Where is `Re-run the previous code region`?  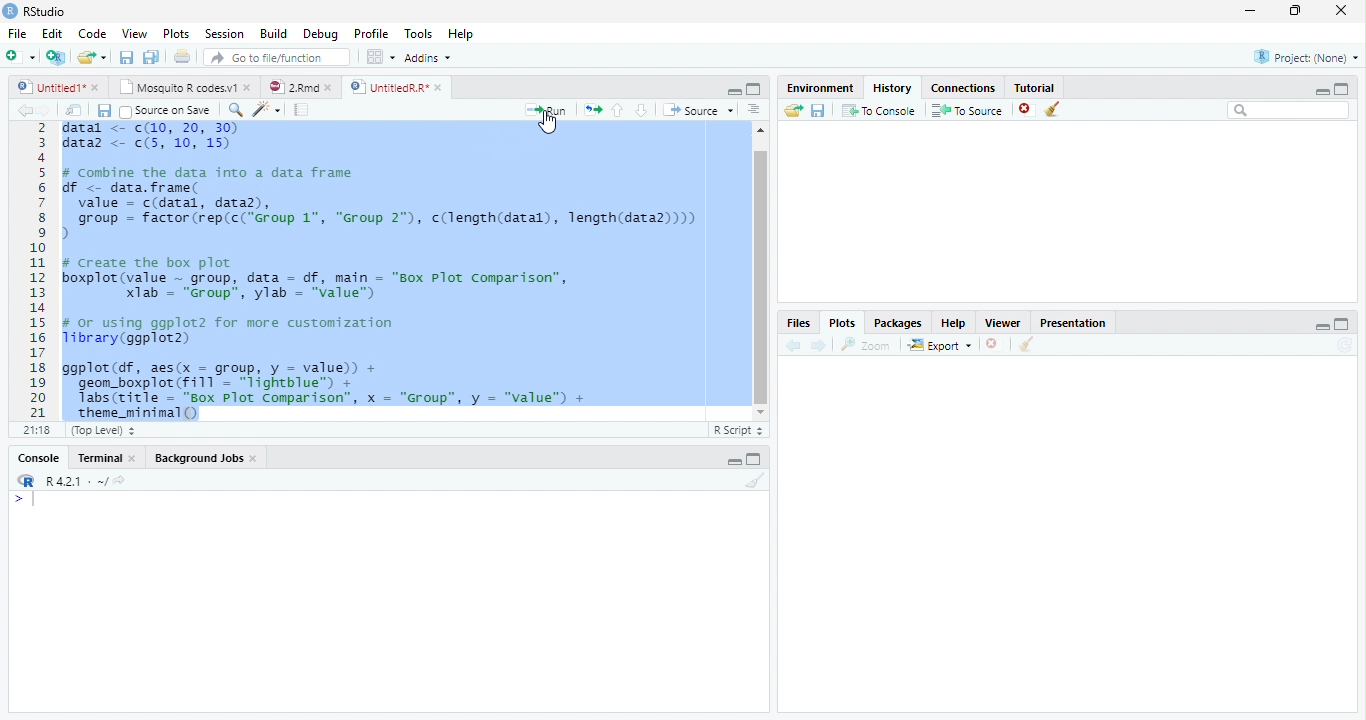
Re-run the previous code region is located at coordinates (592, 110).